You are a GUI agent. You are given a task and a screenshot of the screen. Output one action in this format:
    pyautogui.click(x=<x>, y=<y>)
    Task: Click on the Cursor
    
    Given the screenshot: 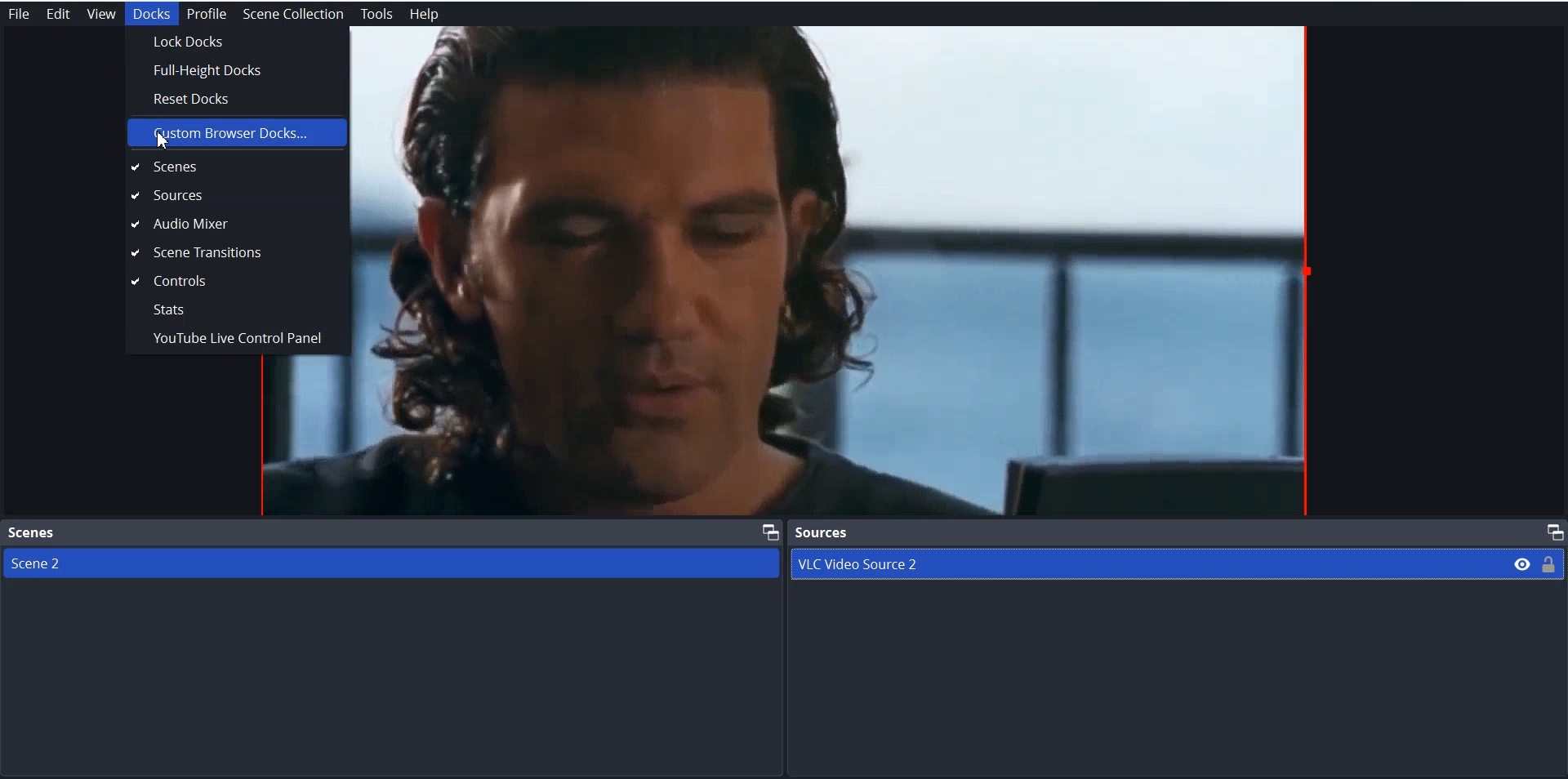 What is the action you would take?
    pyautogui.click(x=164, y=141)
    